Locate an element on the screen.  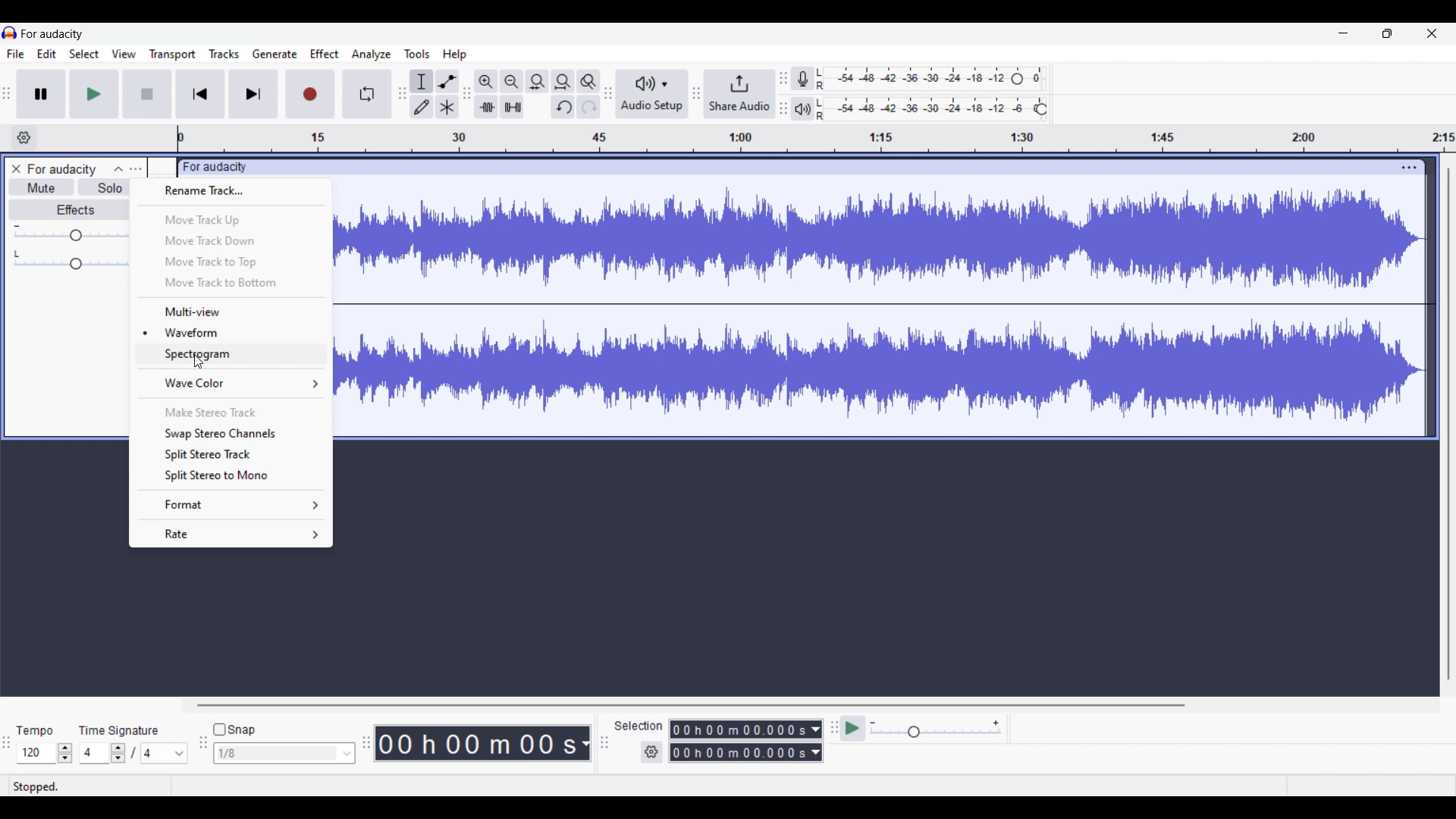
Vertical slide bar is located at coordinates (1449, 423).